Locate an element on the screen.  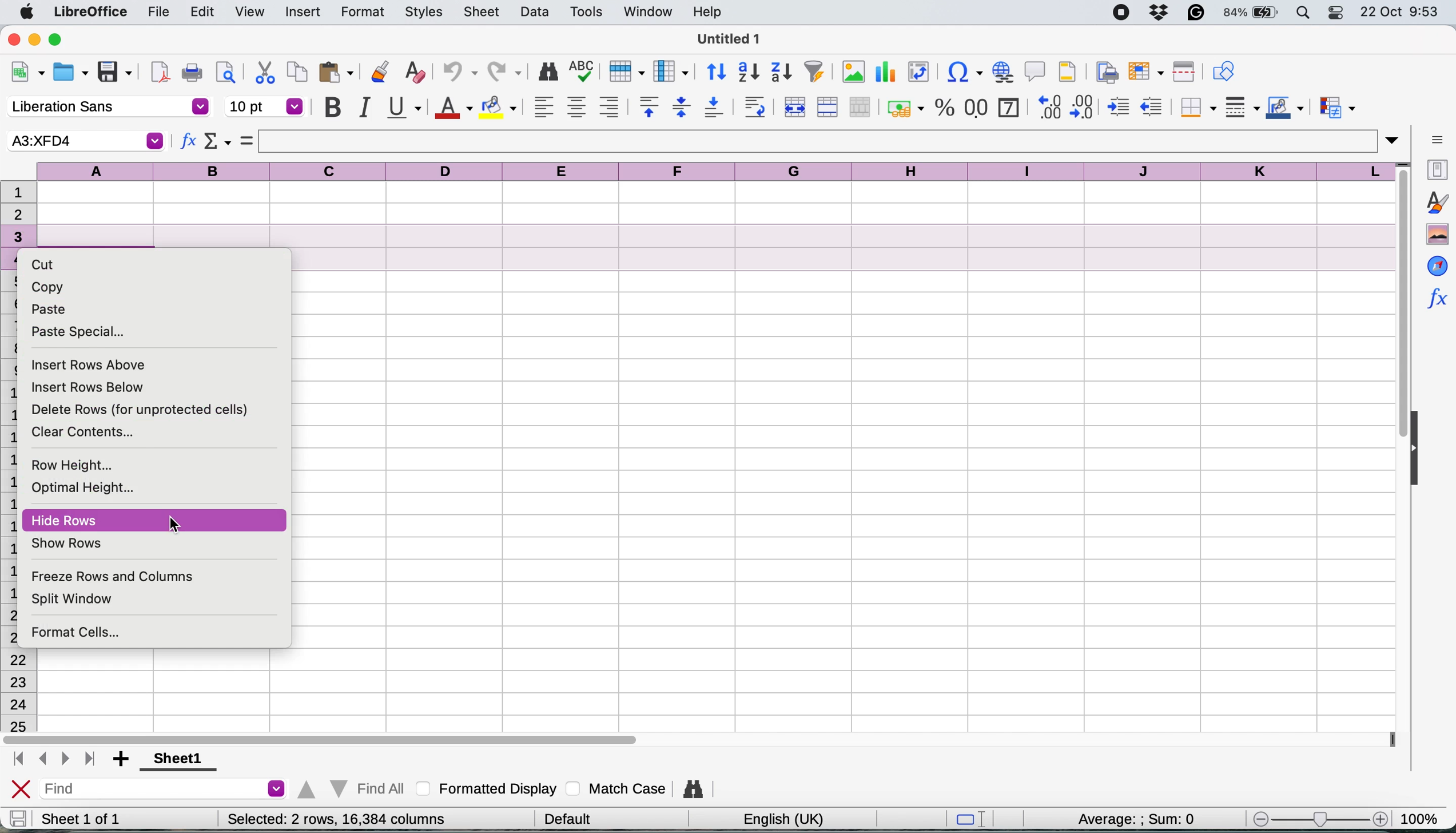
delete rows is located at coordinates (141, 411).